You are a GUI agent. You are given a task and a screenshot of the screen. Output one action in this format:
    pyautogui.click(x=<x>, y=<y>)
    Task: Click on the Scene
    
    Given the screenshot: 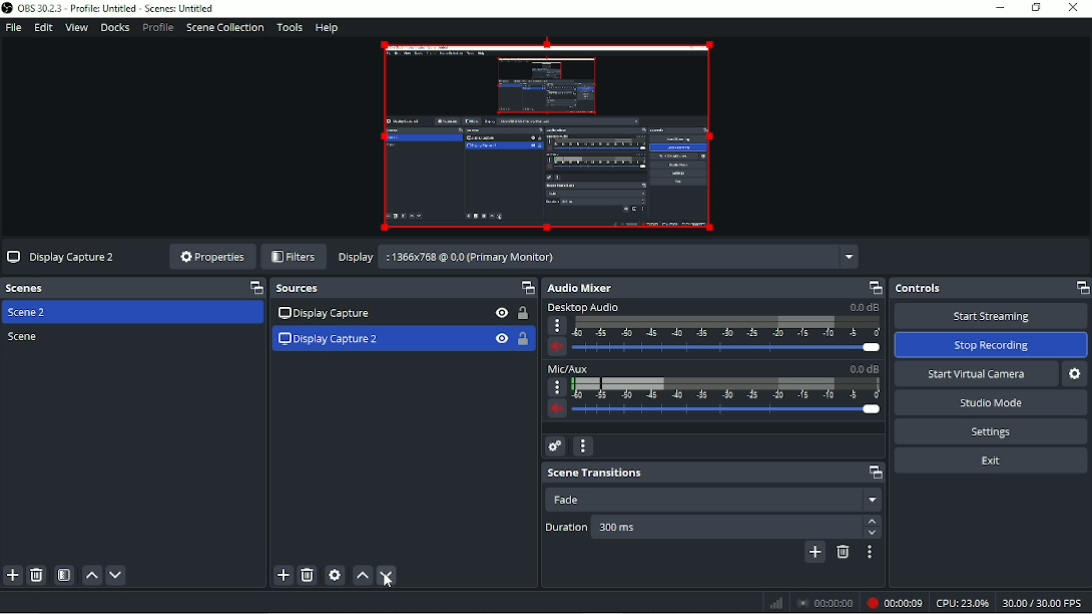 What is the action you would take?
    pyautogui.click(x=27, y=337)
    